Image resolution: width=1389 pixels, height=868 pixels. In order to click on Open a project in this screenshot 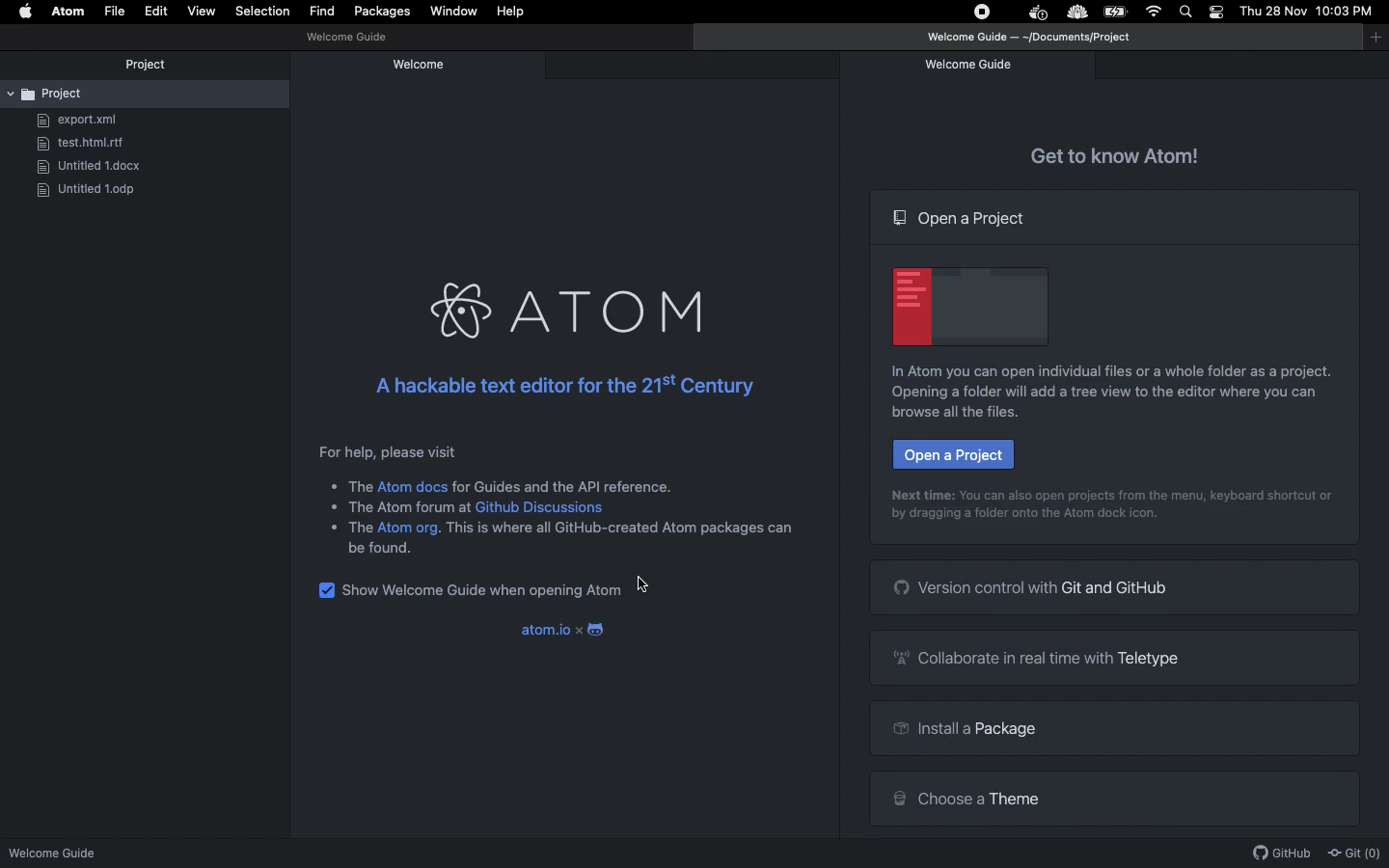, I will do `click(965, 217)`.